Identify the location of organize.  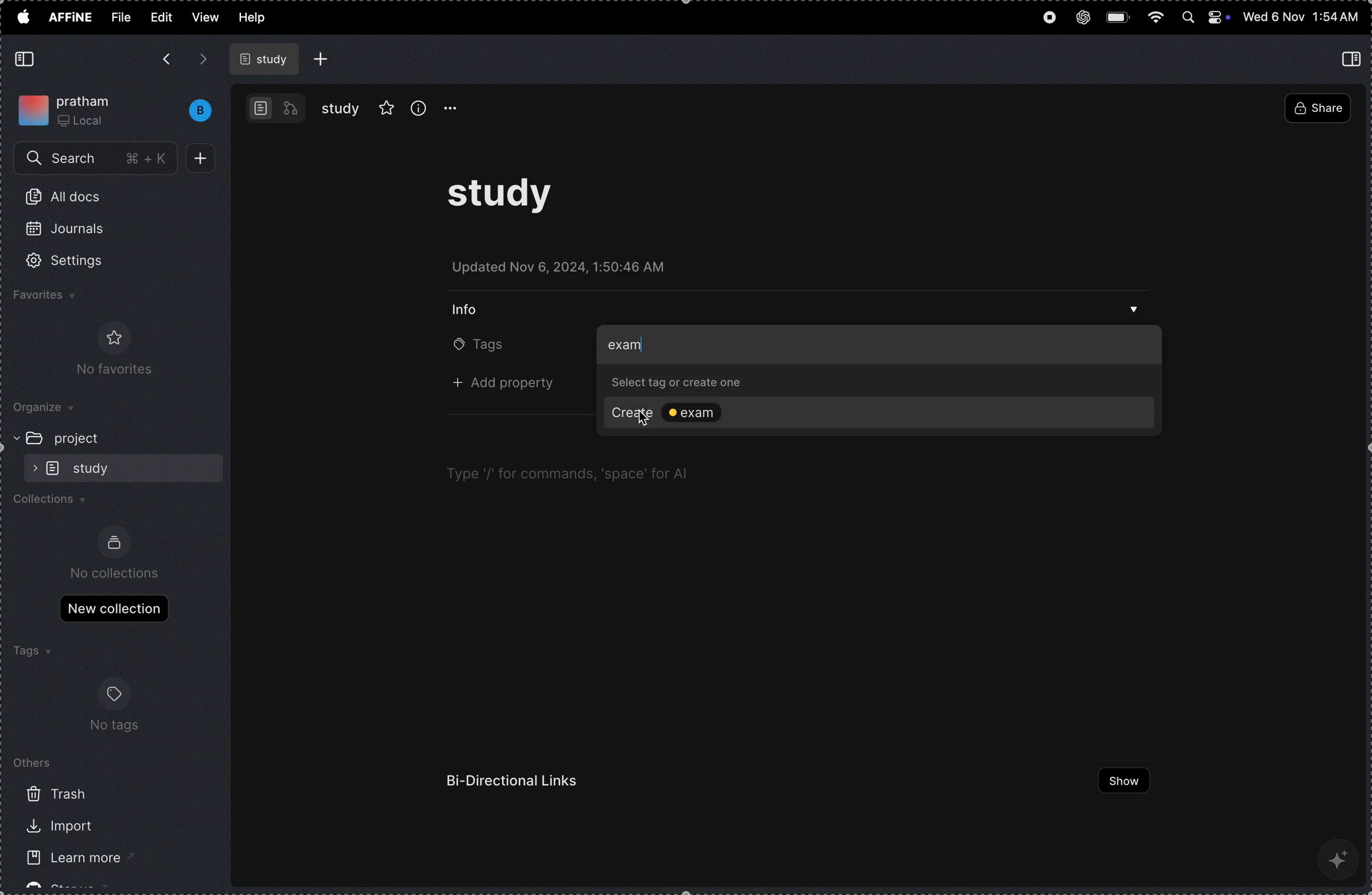
(52, 409).